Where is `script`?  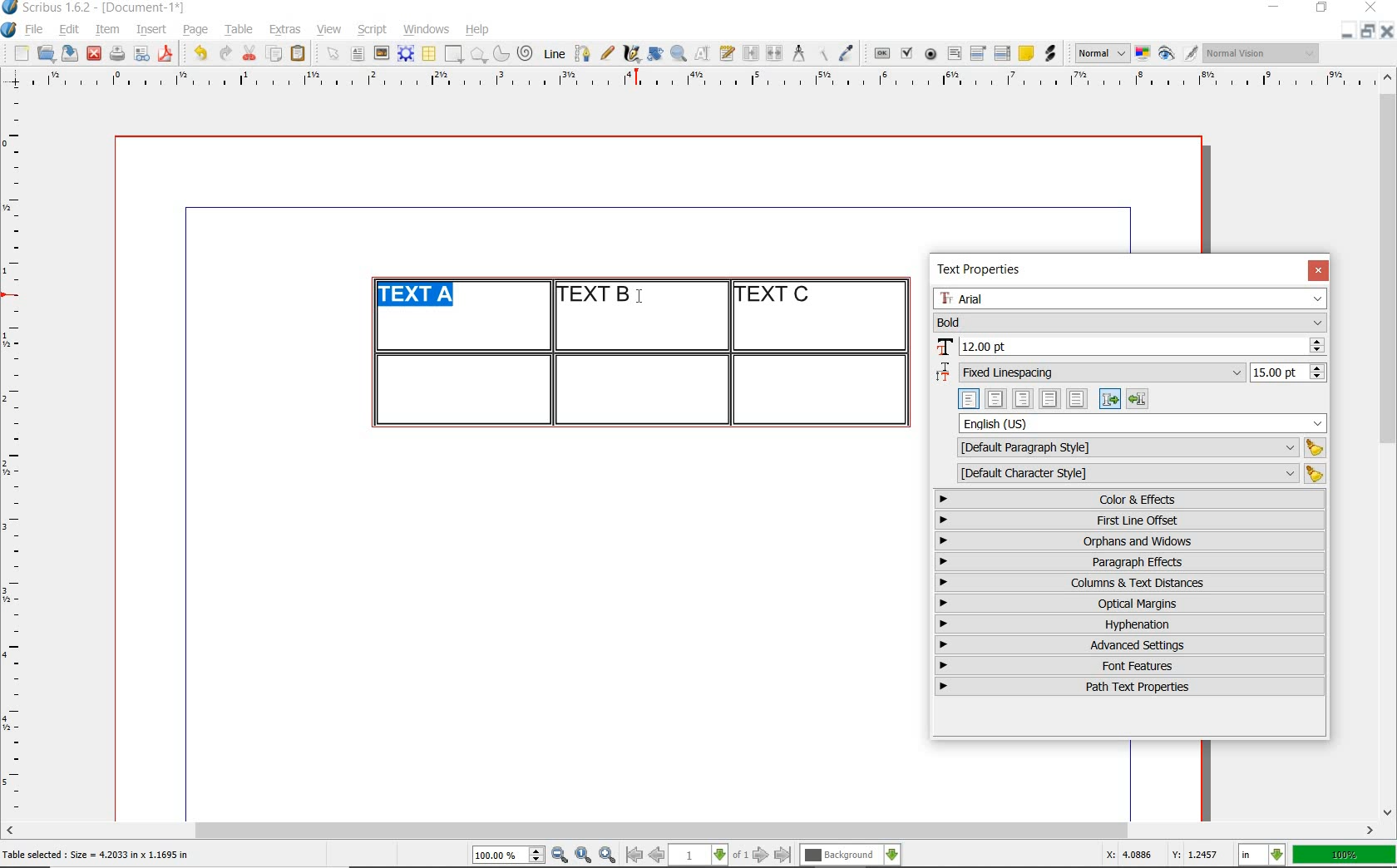 script is located at coordinates (372, 29).